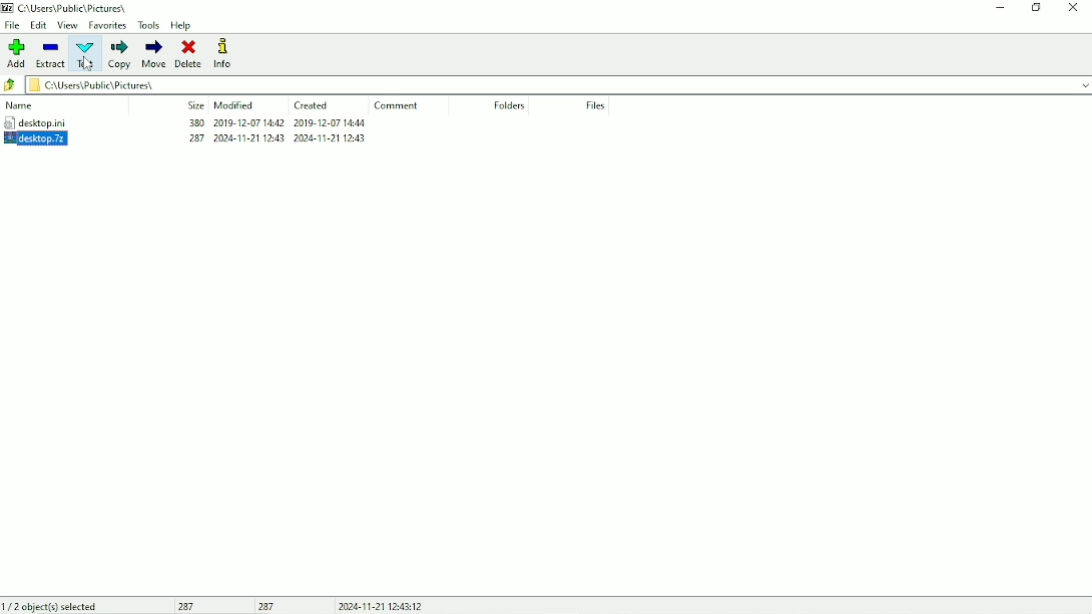  I want to click on 287, so click(186, 605).